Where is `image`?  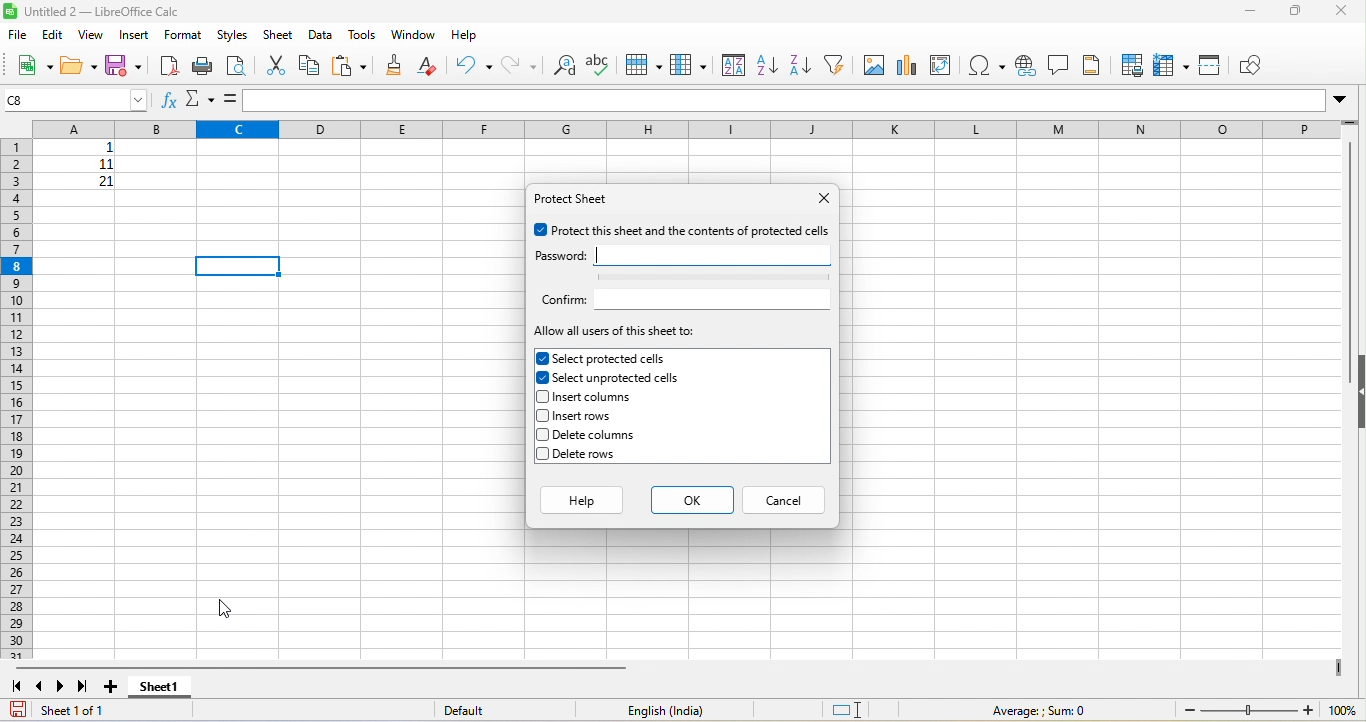
image is located at coordinates (873, 65).